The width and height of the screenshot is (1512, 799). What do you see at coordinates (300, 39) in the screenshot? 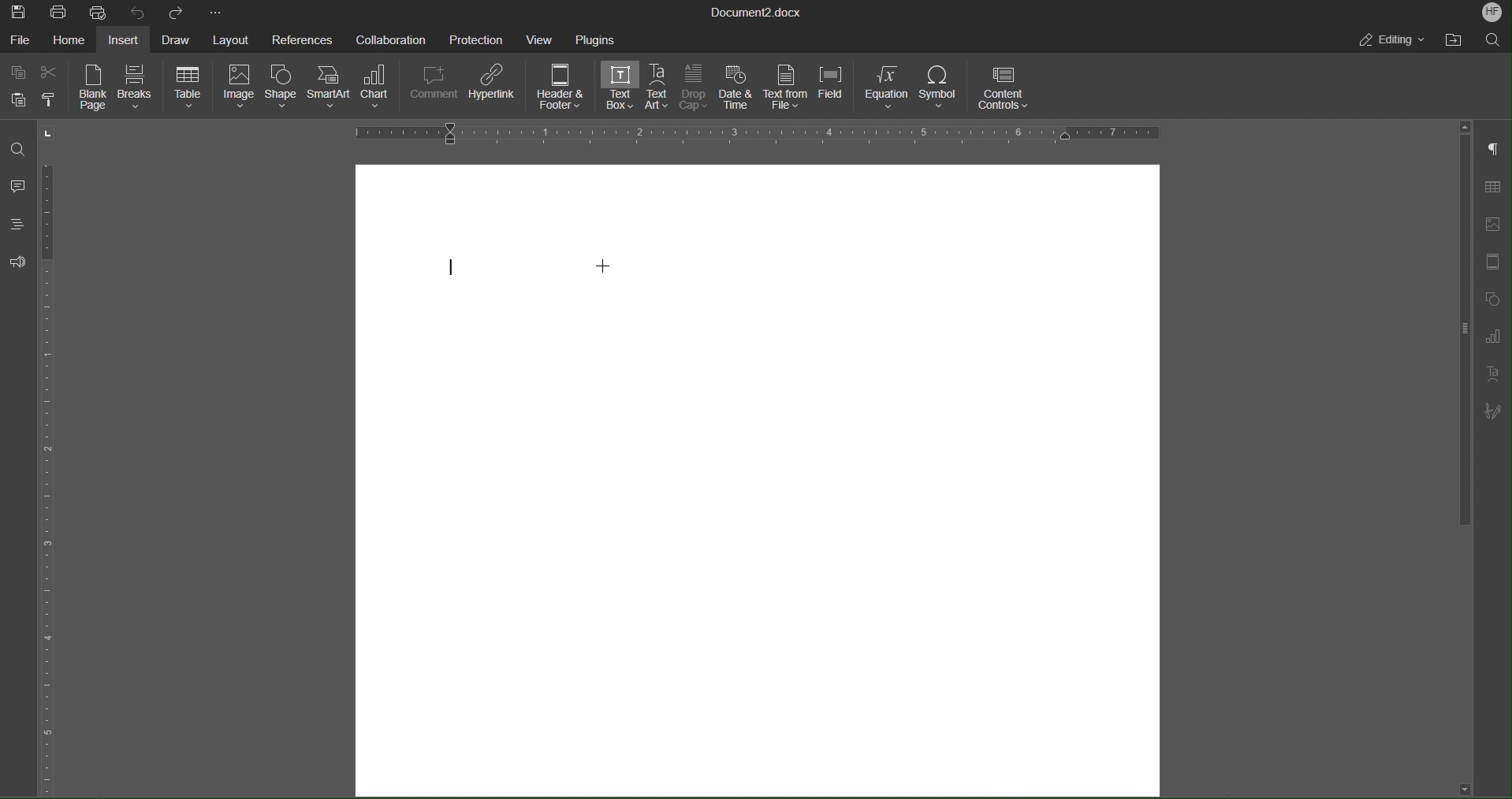
I see `References` at bounding box center [300, 39].